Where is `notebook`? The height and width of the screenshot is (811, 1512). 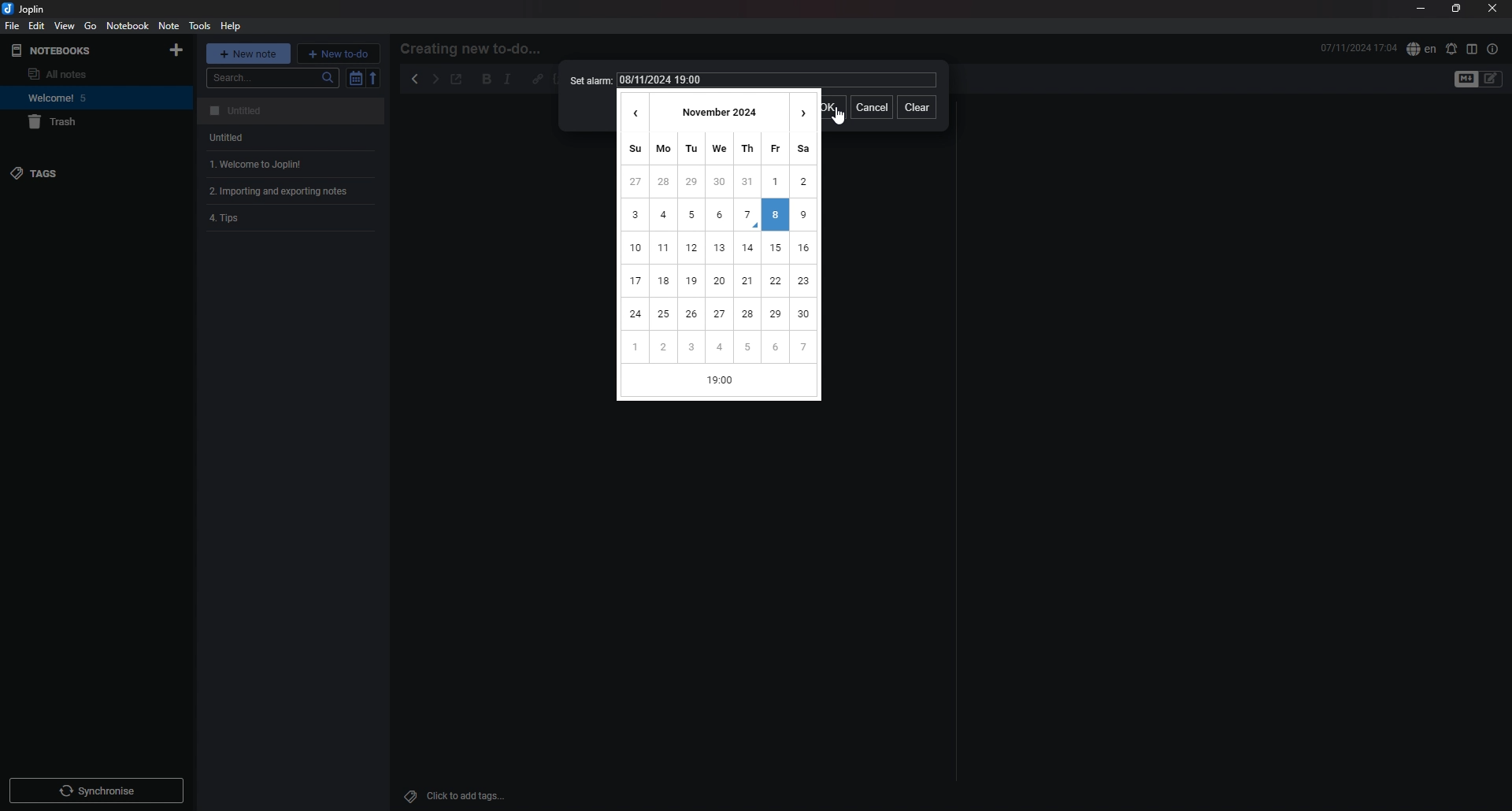 notebook is located at coordinates (128, 25).